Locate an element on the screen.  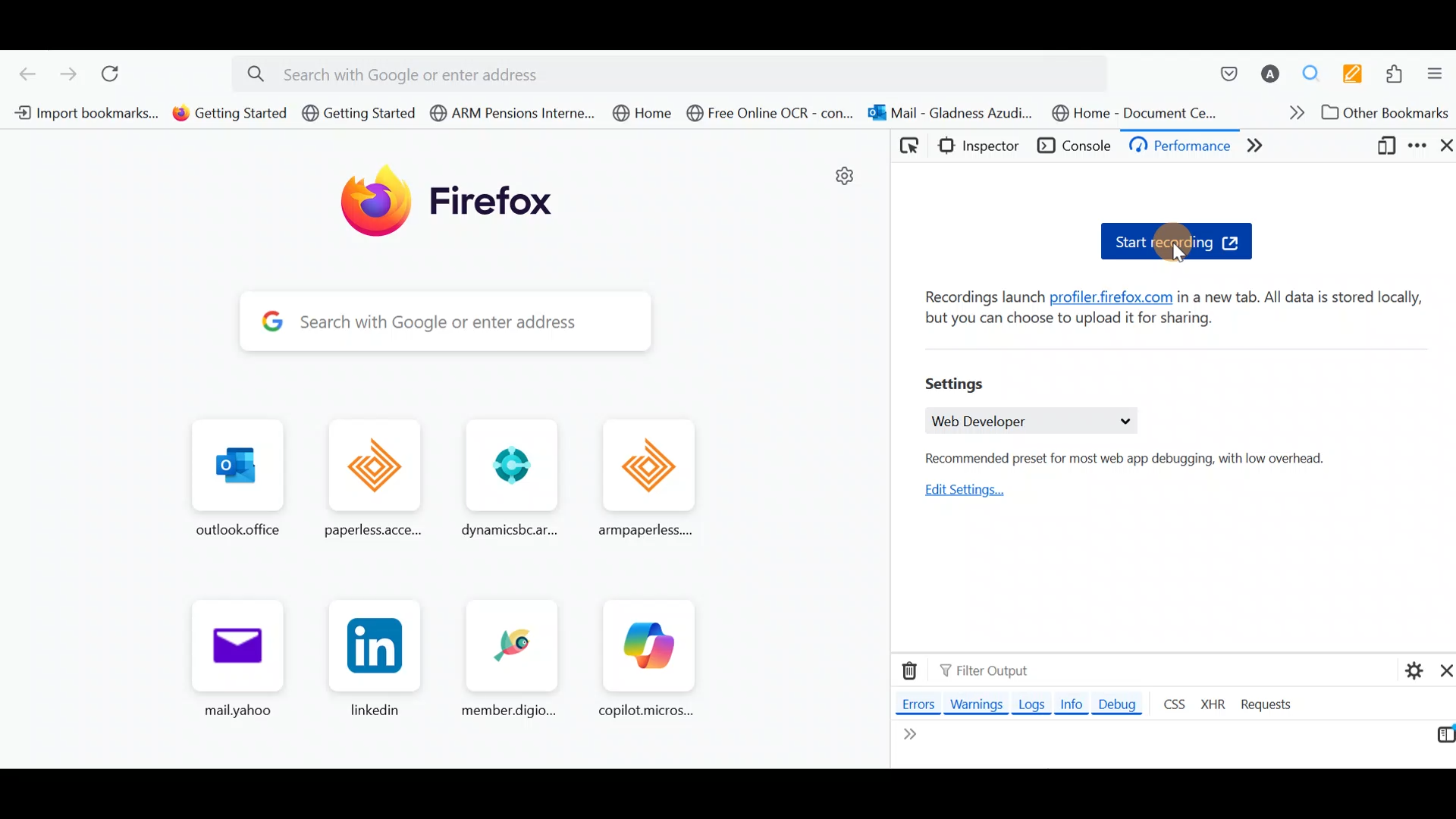
Web developer is located at coordinates (1122, 438).